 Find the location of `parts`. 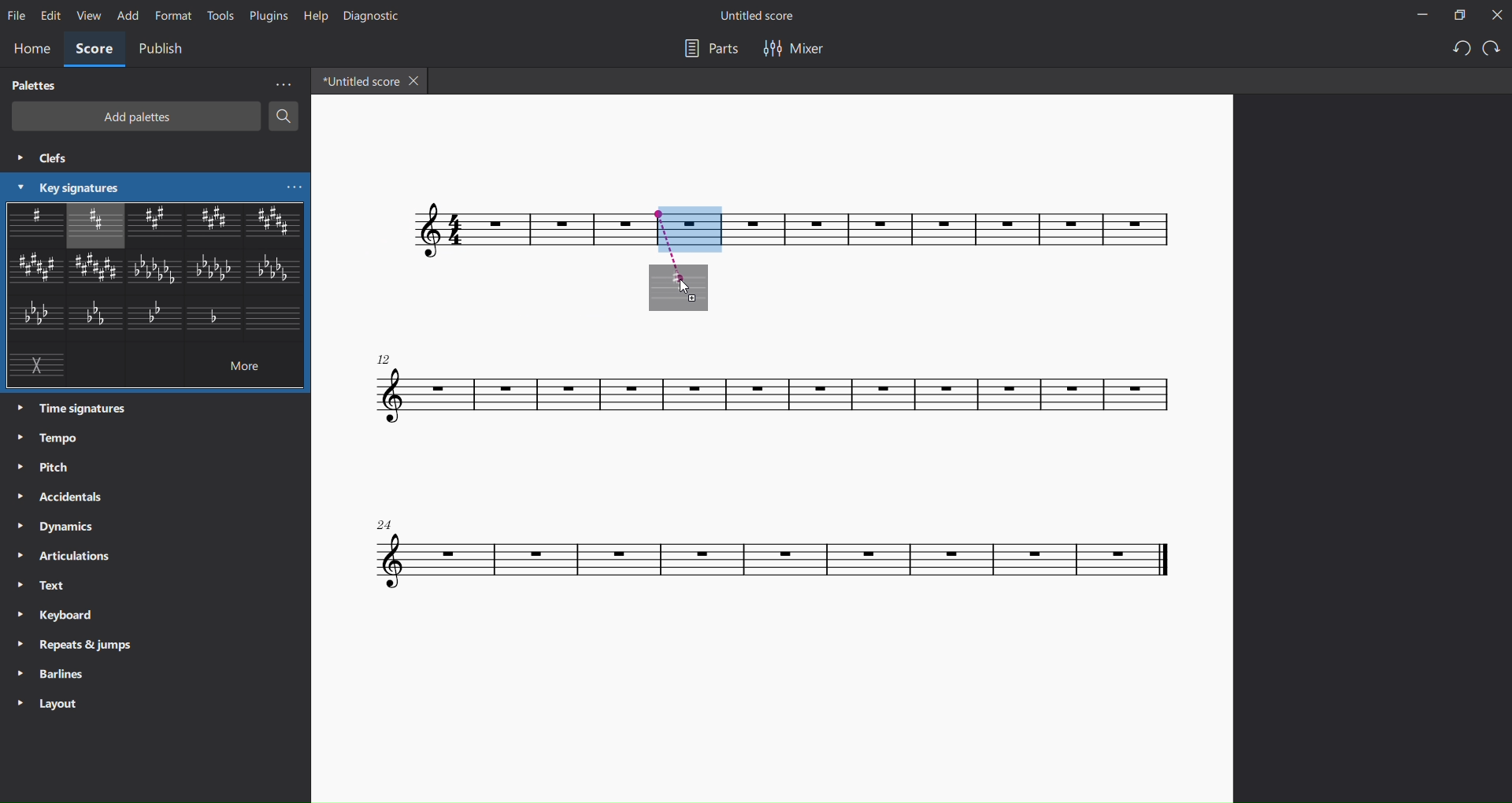

parts is located at coordinates (707, 47).